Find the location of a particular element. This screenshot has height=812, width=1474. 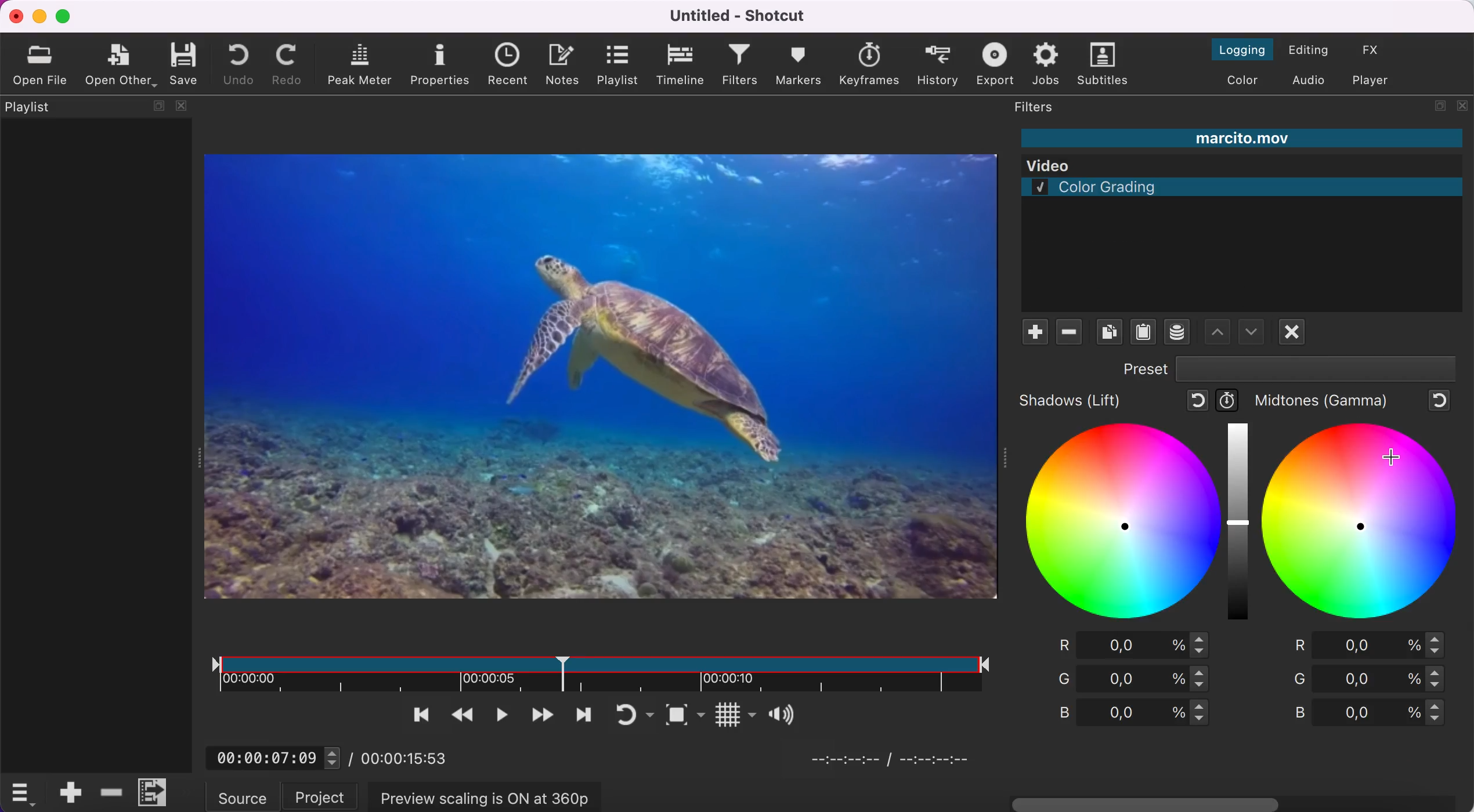

reset to default is located at coordinates (1444, 401).